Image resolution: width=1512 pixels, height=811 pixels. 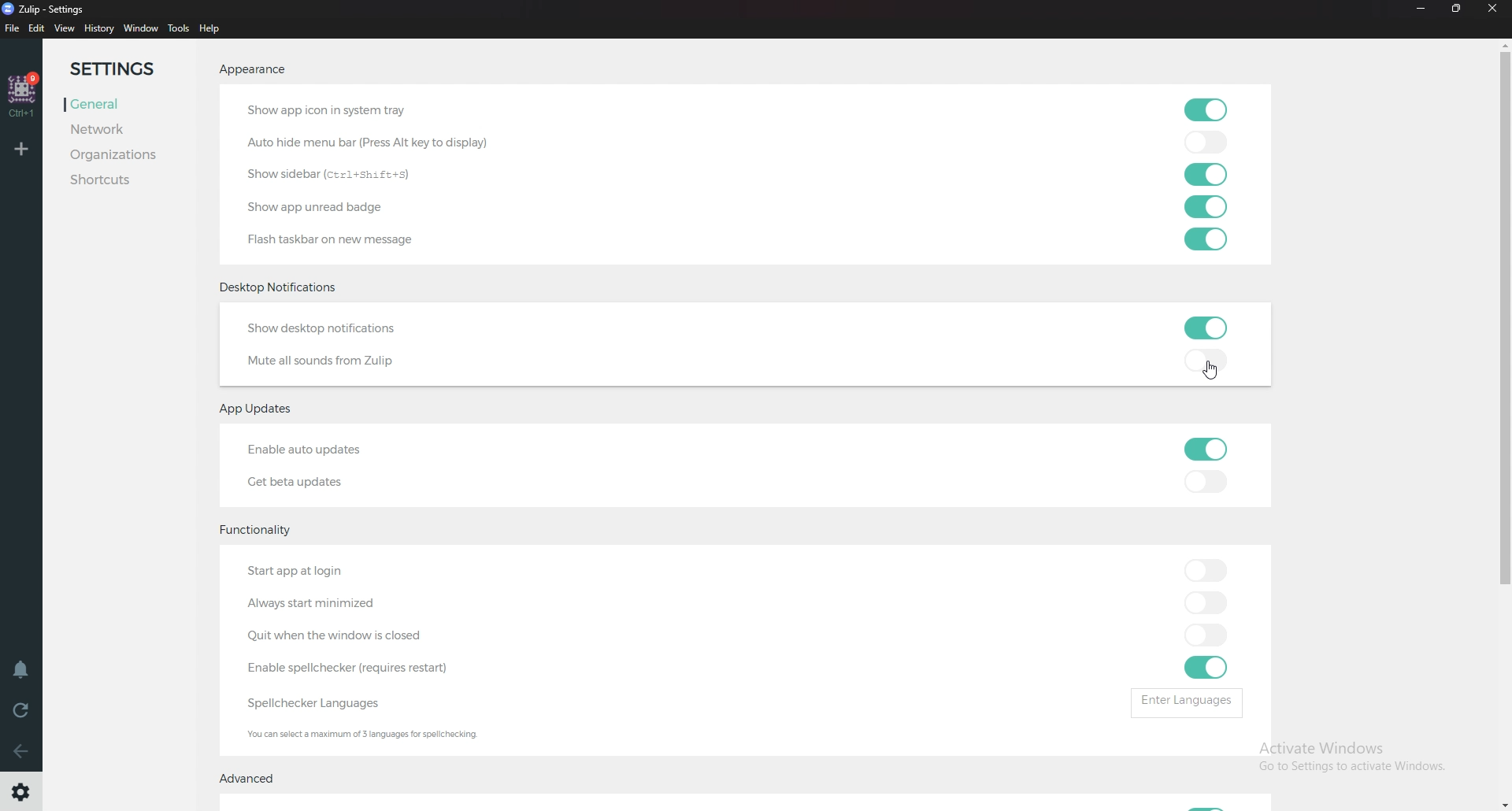 I want to click on toggle, so click(x=1206, y=358).